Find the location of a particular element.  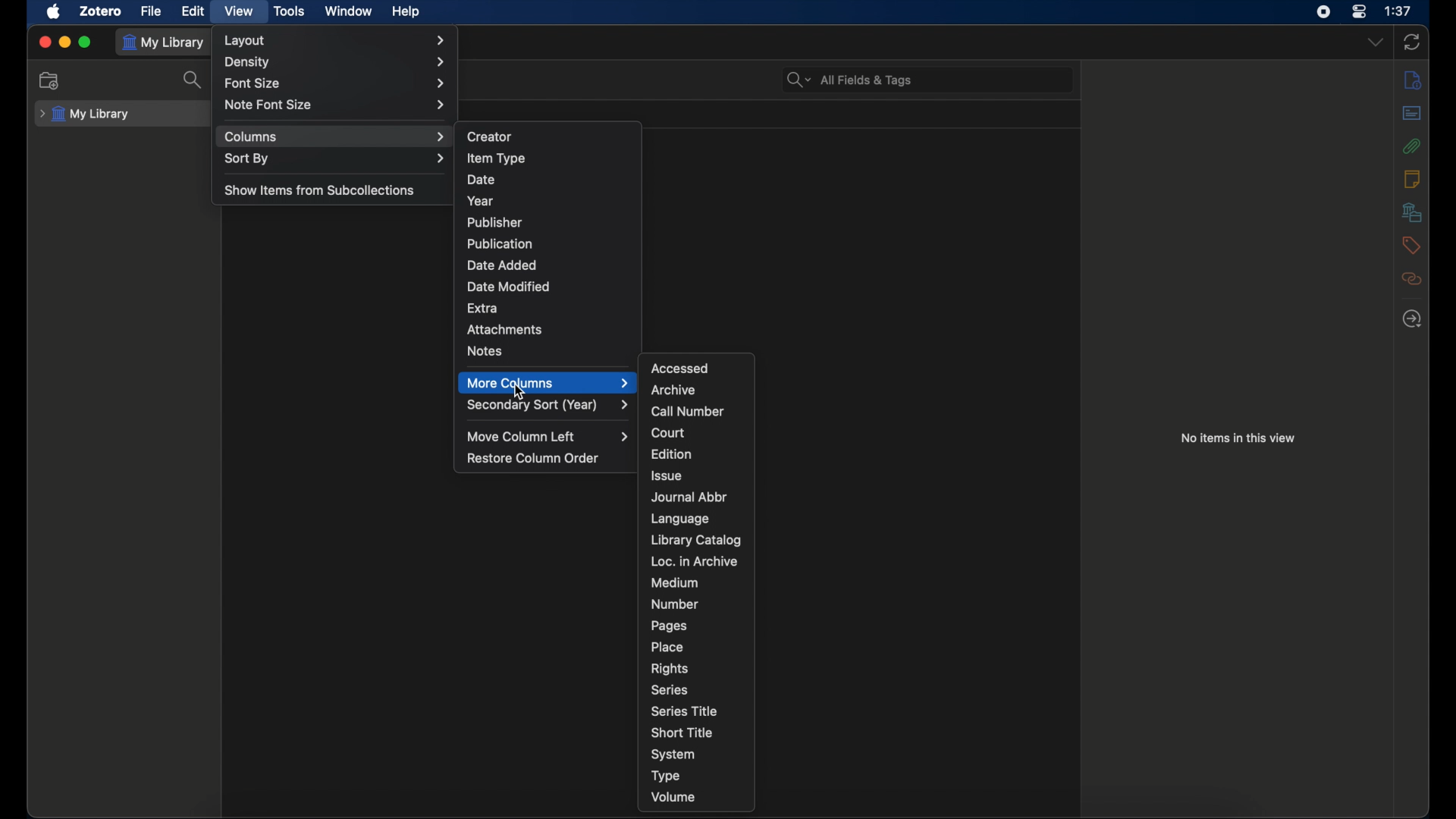

Cursor is located at coordinates (524, 392).